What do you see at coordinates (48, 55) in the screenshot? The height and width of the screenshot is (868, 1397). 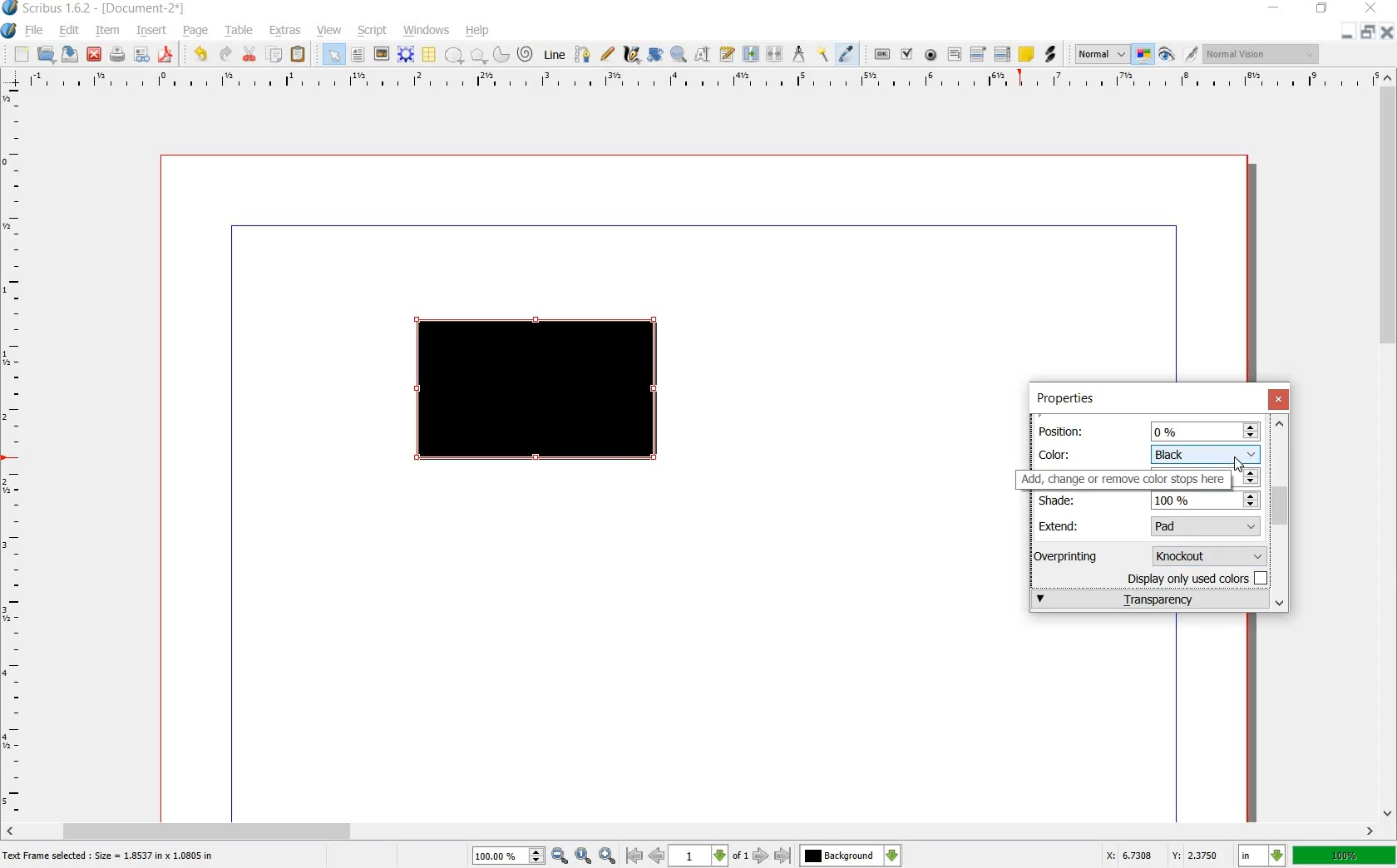 I see `open` at bounding box center [48, 55].